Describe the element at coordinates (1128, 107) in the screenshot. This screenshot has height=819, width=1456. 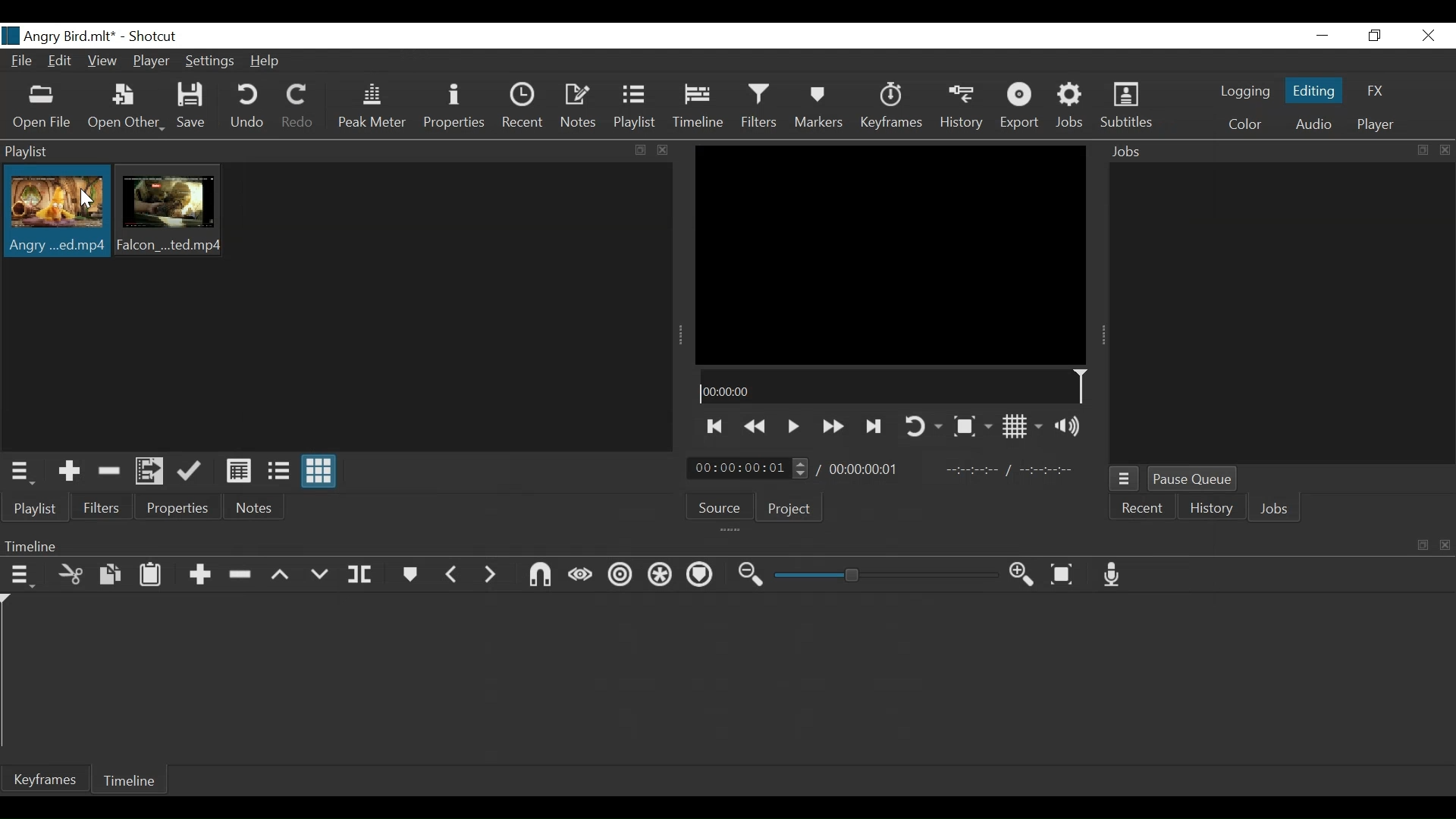
I see `Subtitles` at that location.